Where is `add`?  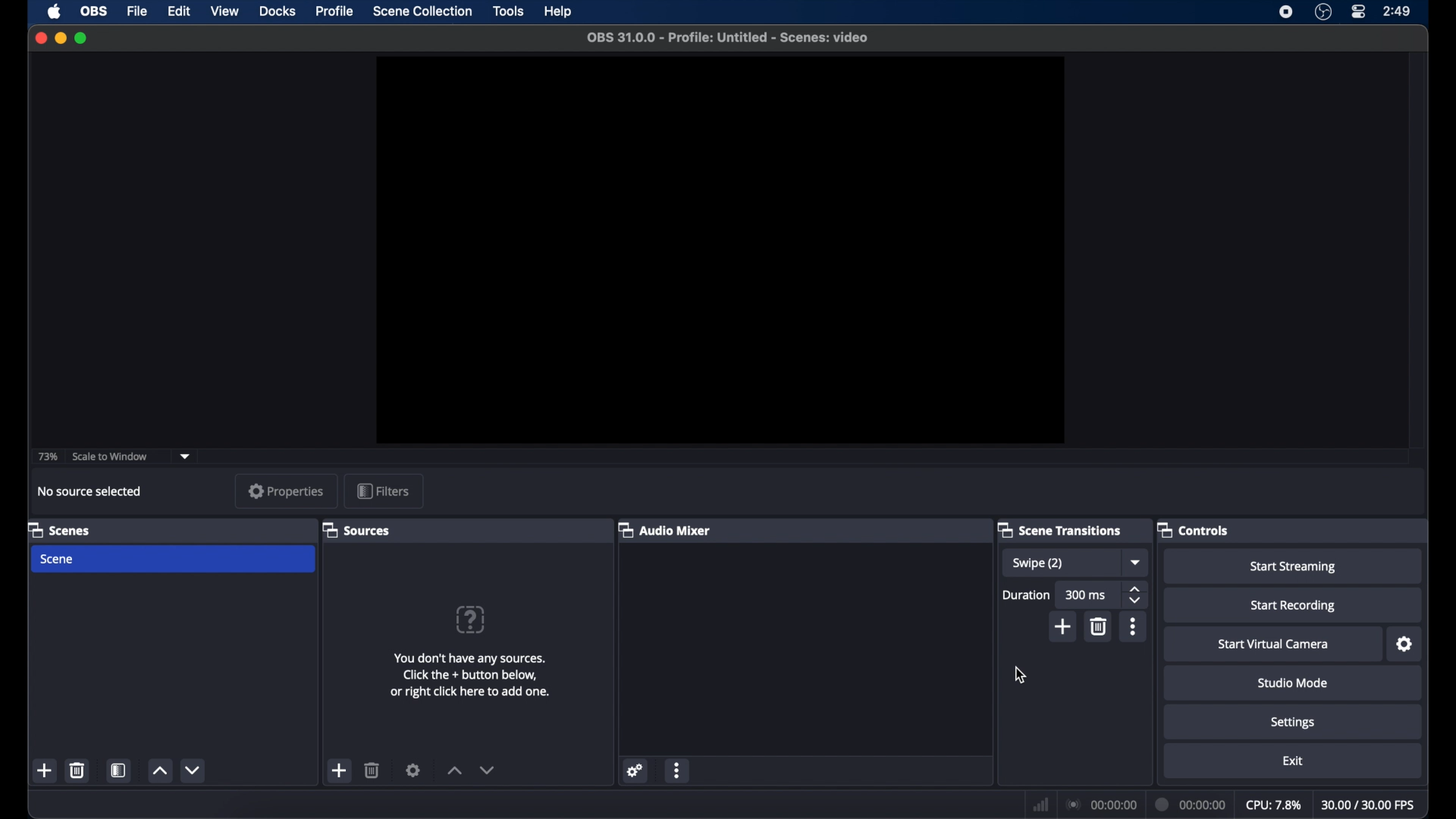
add is located at coordinates (45, 772).